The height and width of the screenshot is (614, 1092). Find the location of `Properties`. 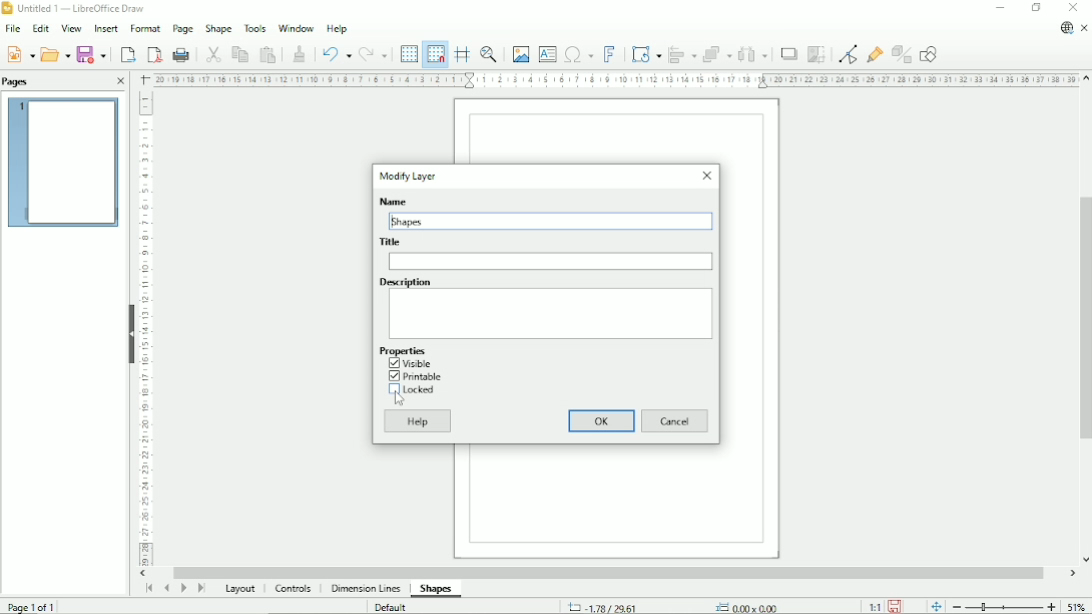

Properties is located at coordinates (402, 350).